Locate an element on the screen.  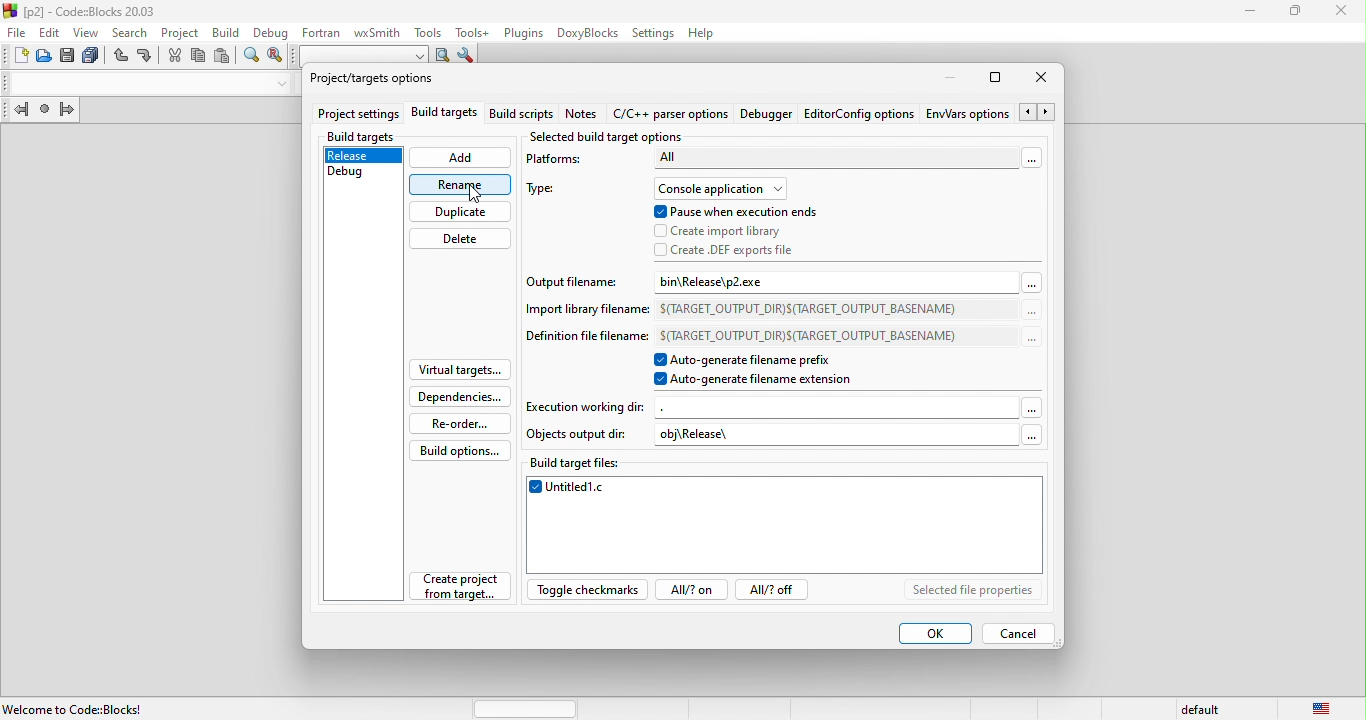
save everything is located at coordinates (94, 57).